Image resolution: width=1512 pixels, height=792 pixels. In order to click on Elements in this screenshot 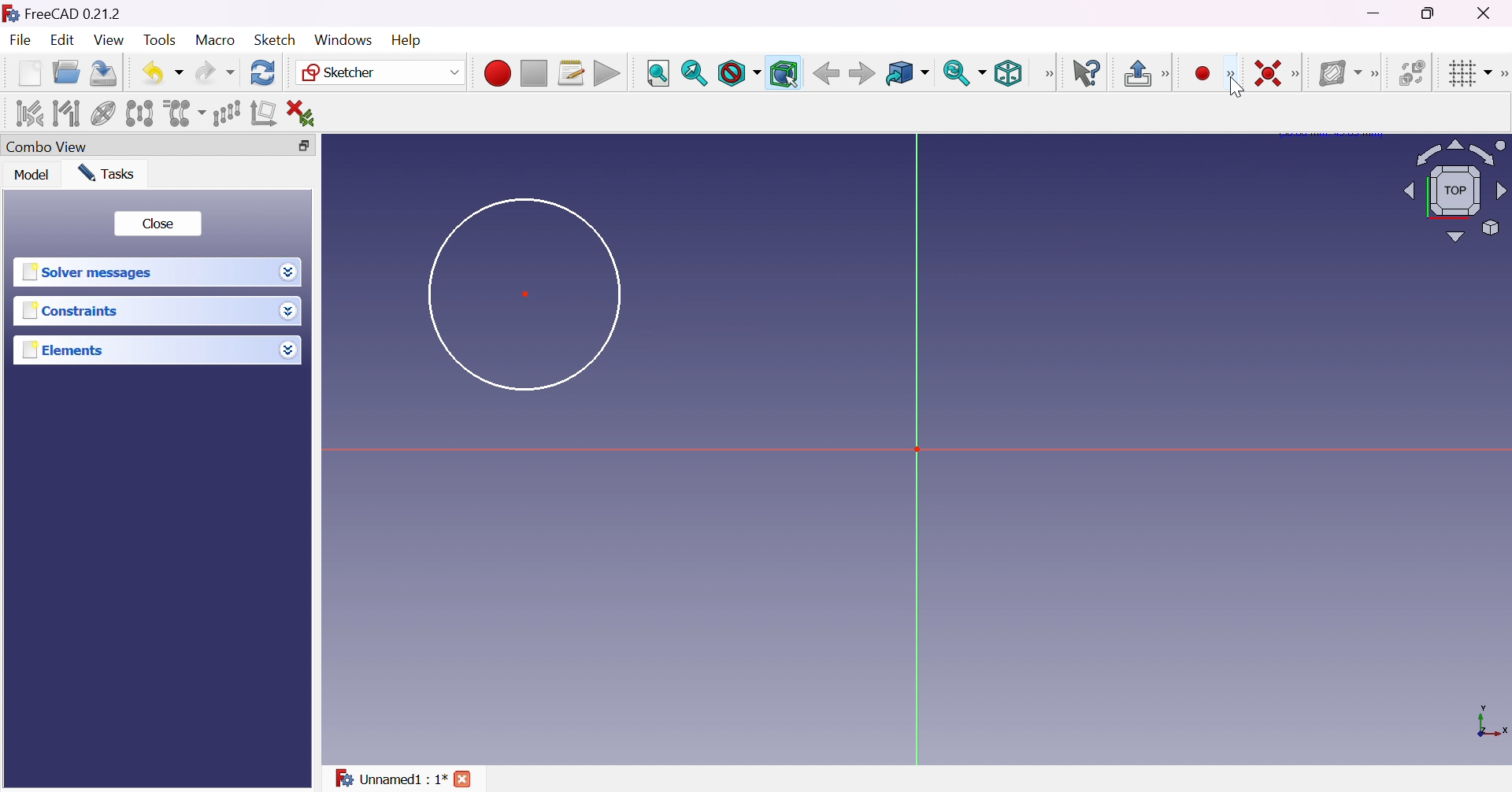, I will do `click(65, 350)`.